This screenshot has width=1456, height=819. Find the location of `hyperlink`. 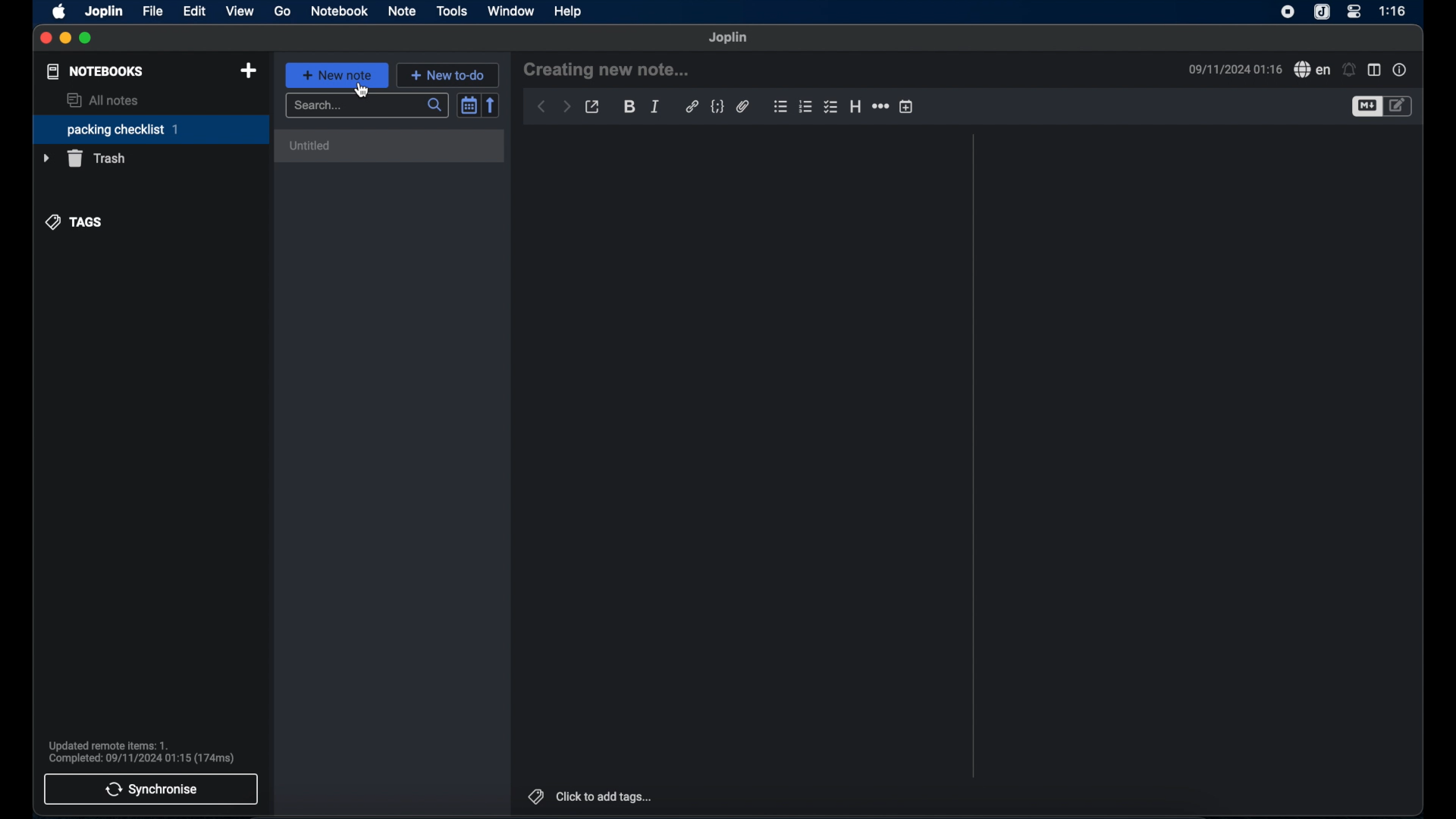

hyperlink is located at coordinates (692, 107).